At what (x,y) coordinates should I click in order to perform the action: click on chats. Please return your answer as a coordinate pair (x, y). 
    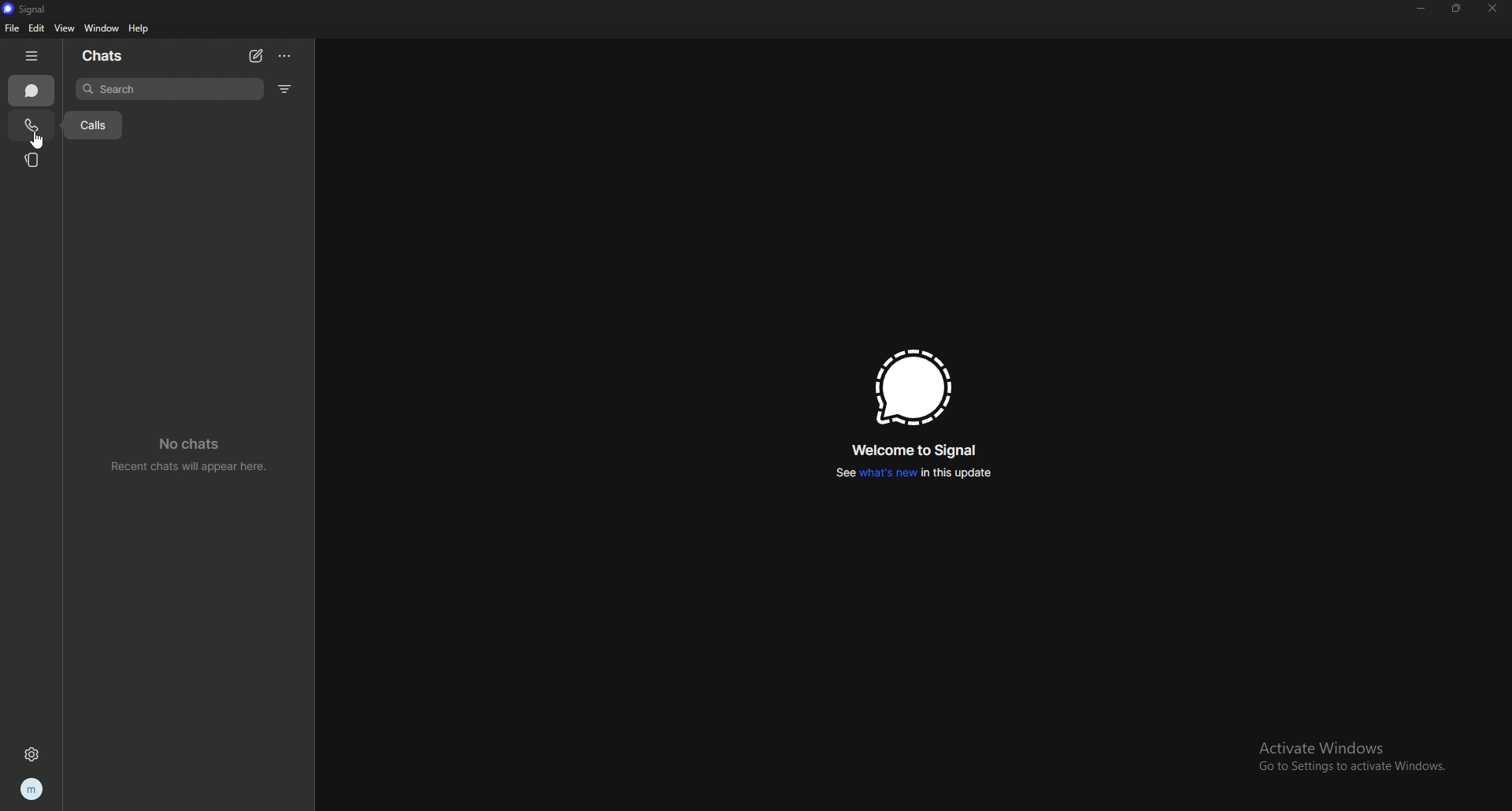
    Looking at the image, I should click on (32, 91).